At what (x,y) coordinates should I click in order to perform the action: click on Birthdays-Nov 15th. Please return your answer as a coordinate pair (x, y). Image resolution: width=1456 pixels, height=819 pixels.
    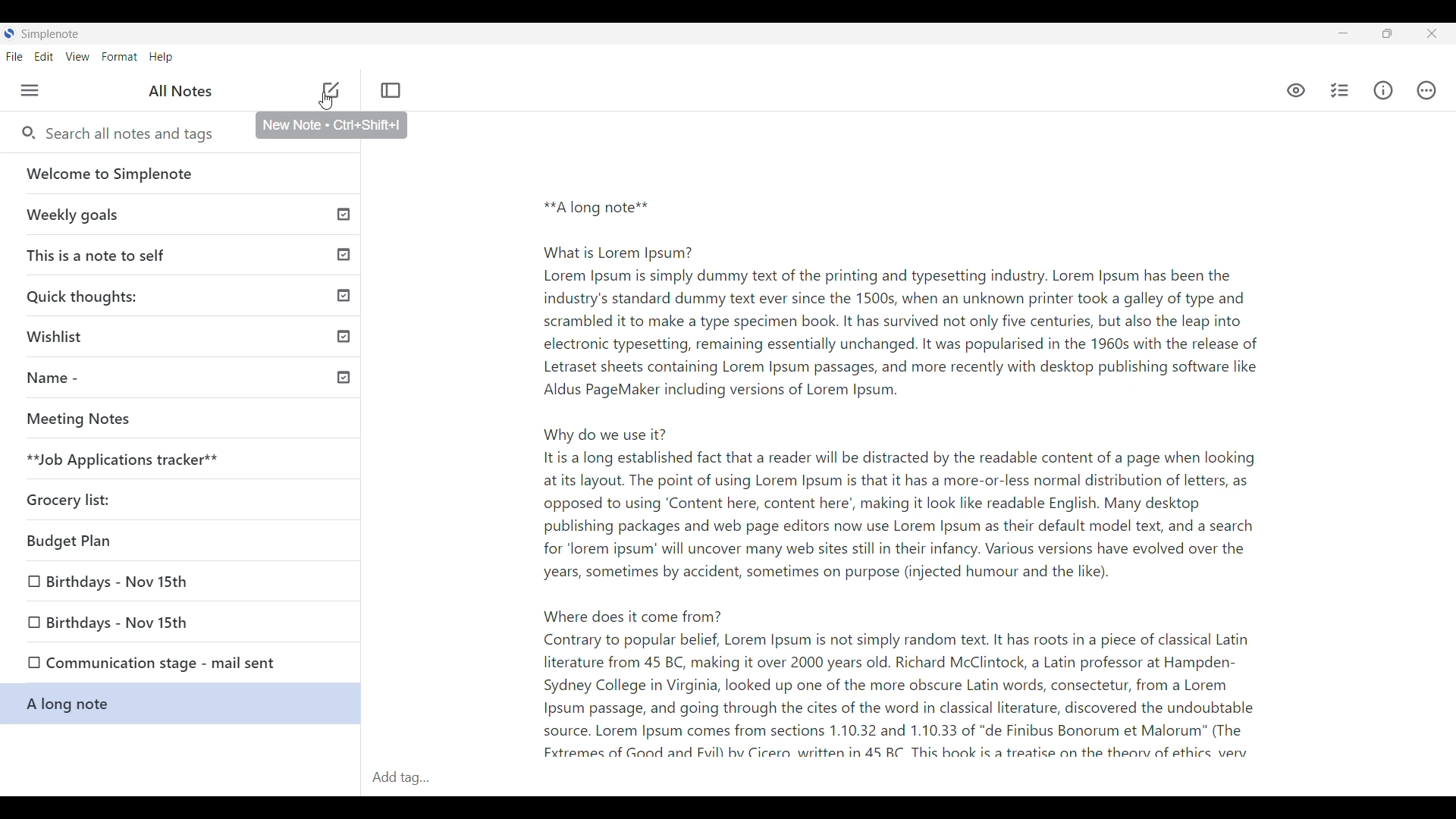
    Looking at the image, I should click on (123, 626).